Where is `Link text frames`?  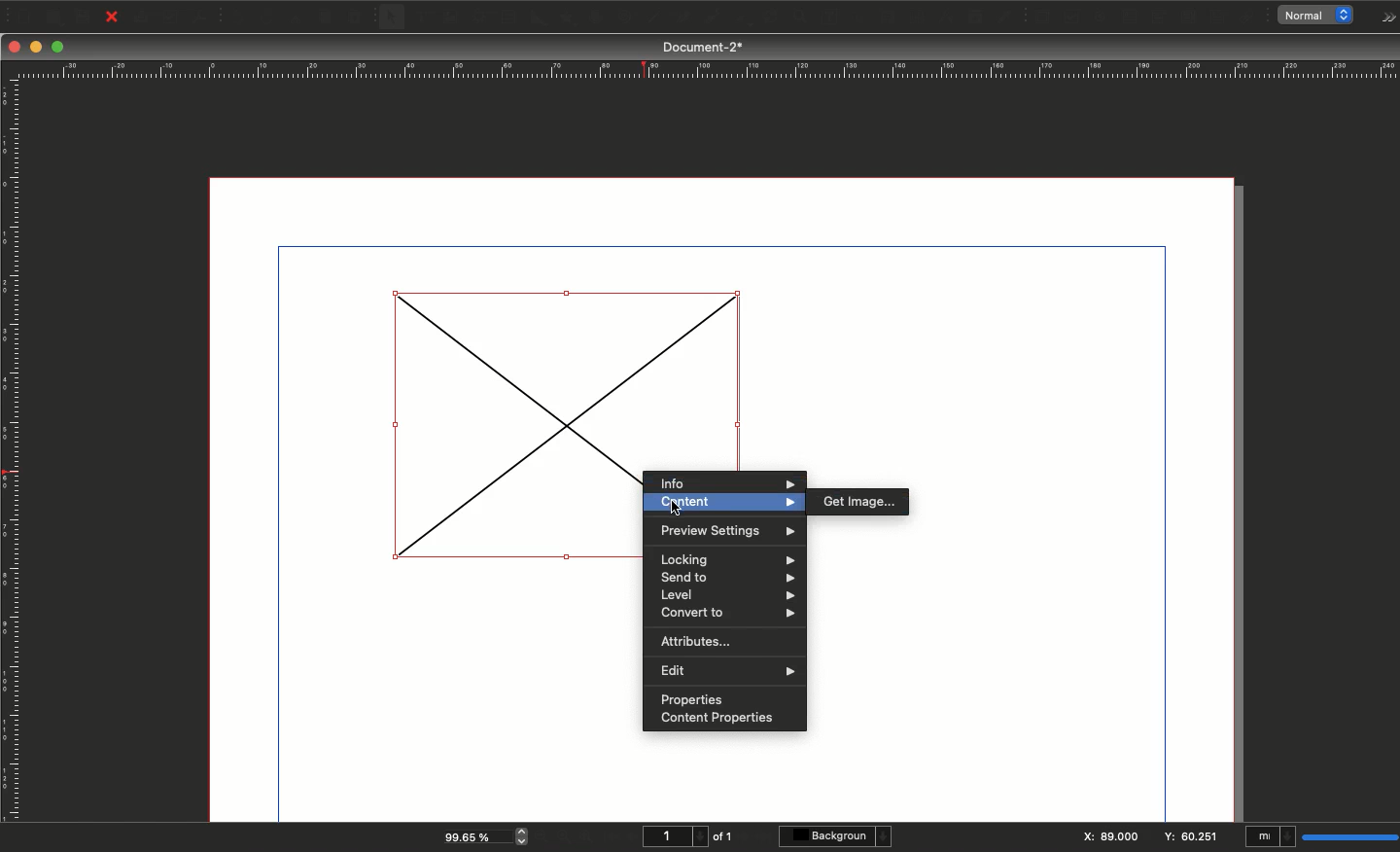
Link text frames is located at coordinates (880, 17).